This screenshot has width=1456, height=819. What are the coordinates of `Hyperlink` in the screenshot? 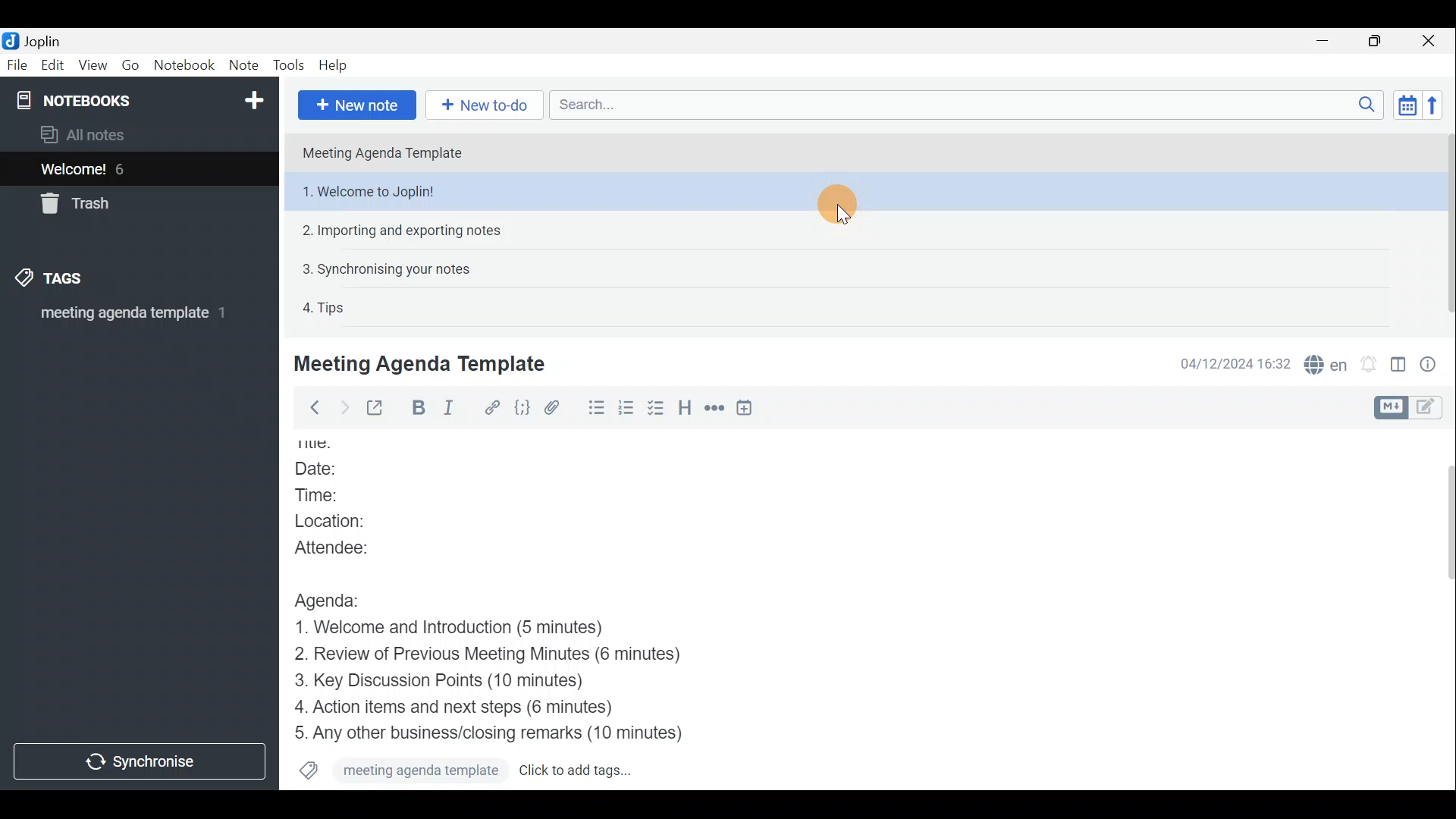 It's located at (492, 407).